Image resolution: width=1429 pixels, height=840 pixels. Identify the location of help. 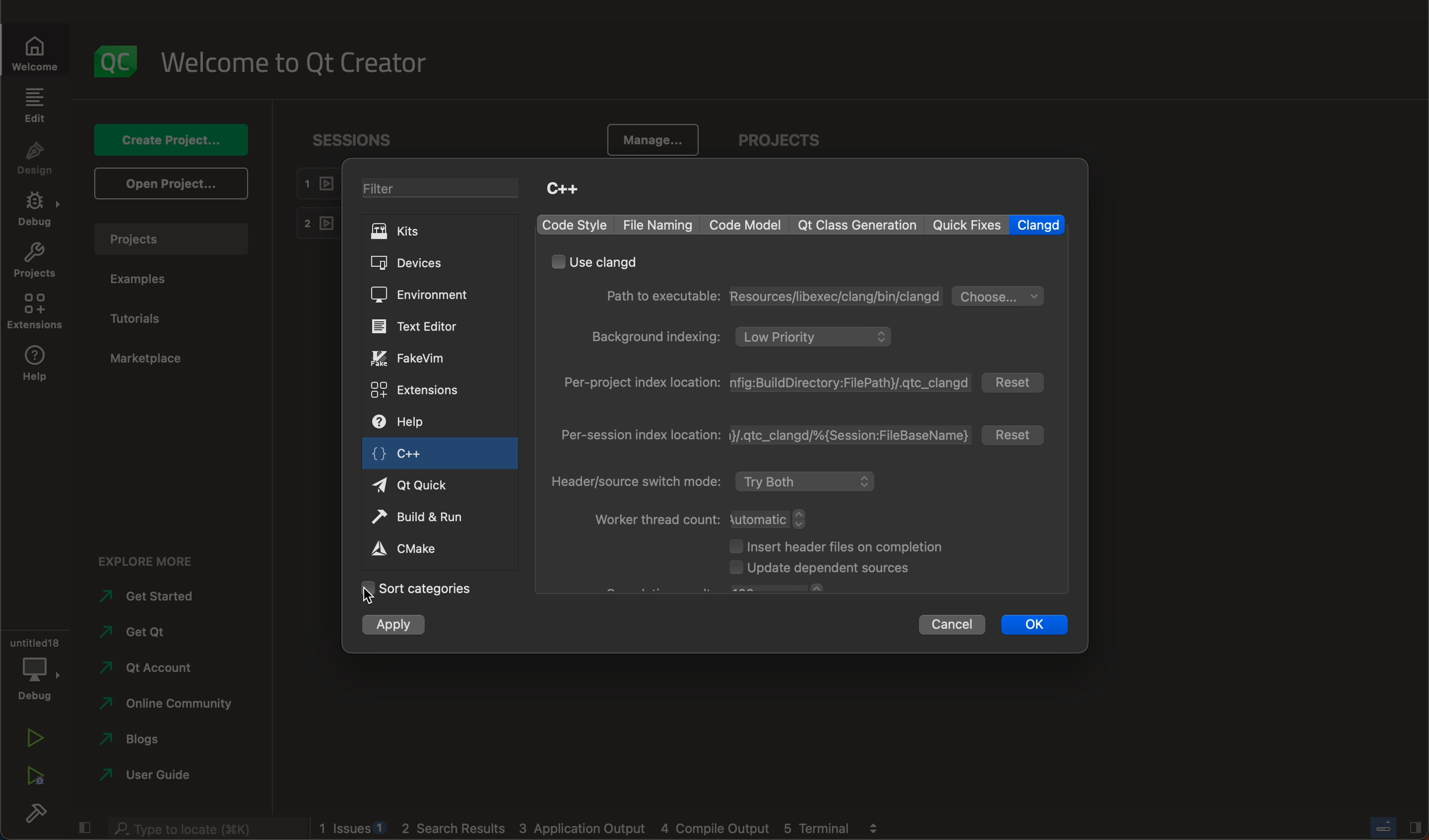
(39, 363).